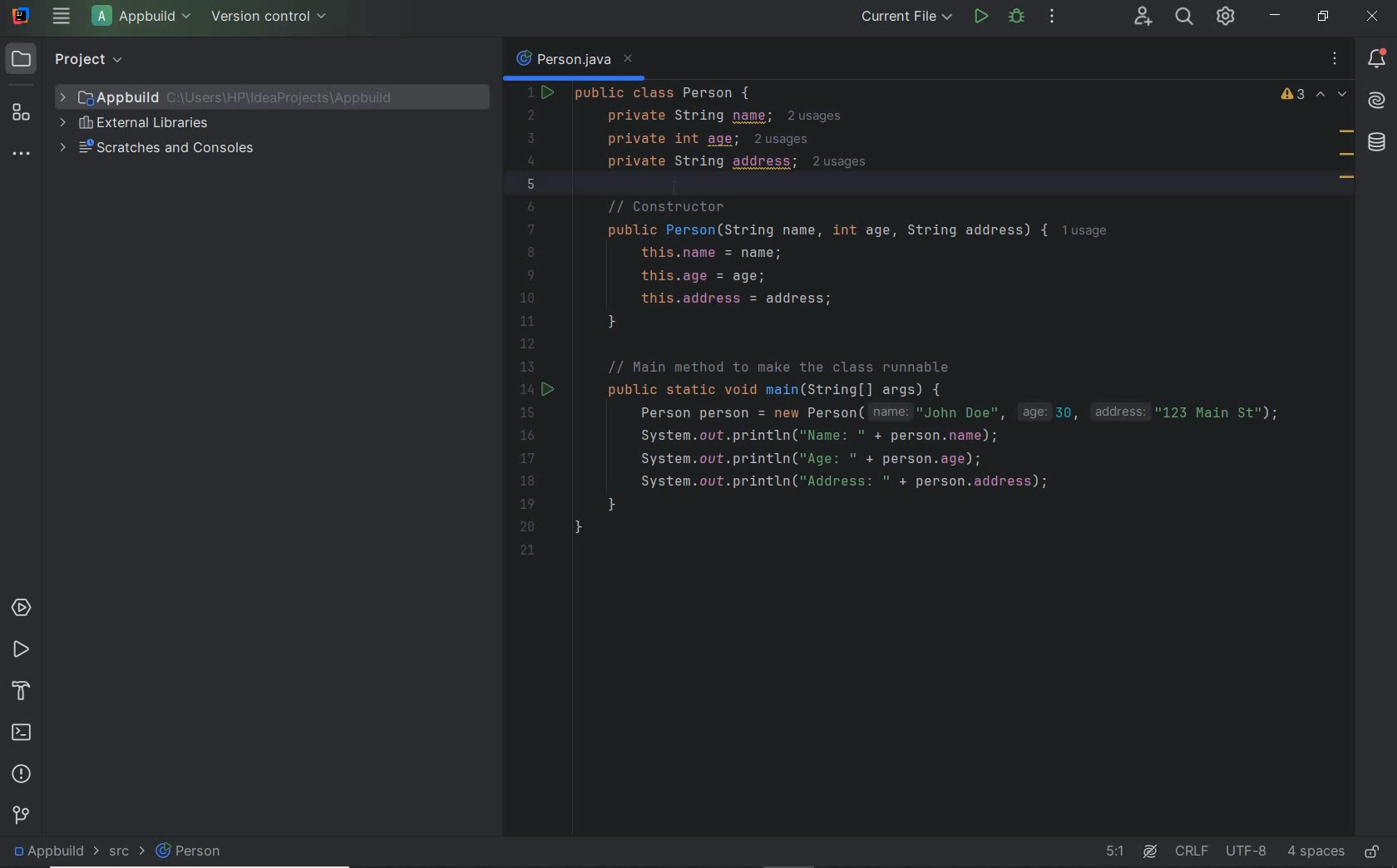 The image size is (1397, 868). Describe the element at coordinates (21, 113) in the screenshot. I see `structure` at that location.